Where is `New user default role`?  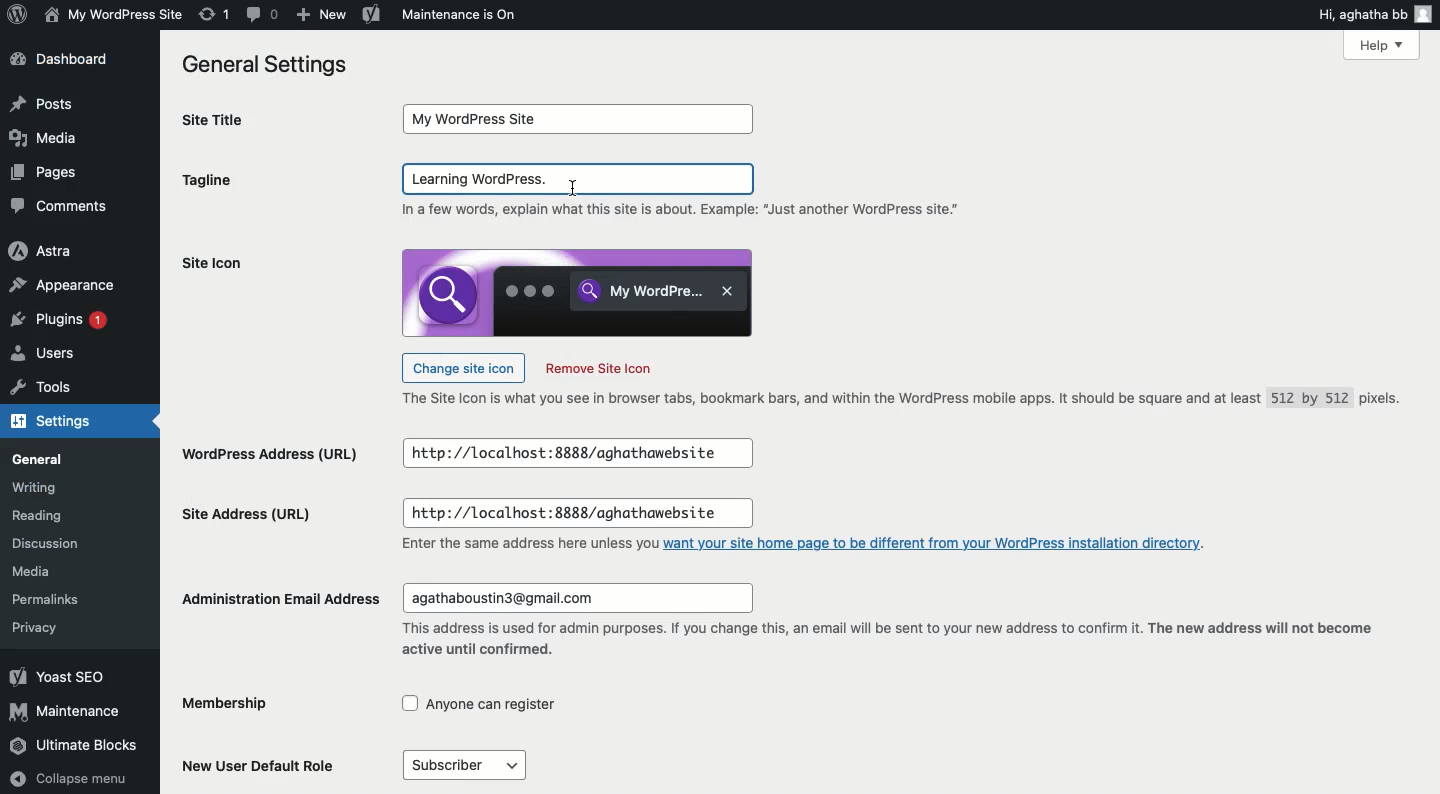 New user default role is located at coordinates (264, 764).